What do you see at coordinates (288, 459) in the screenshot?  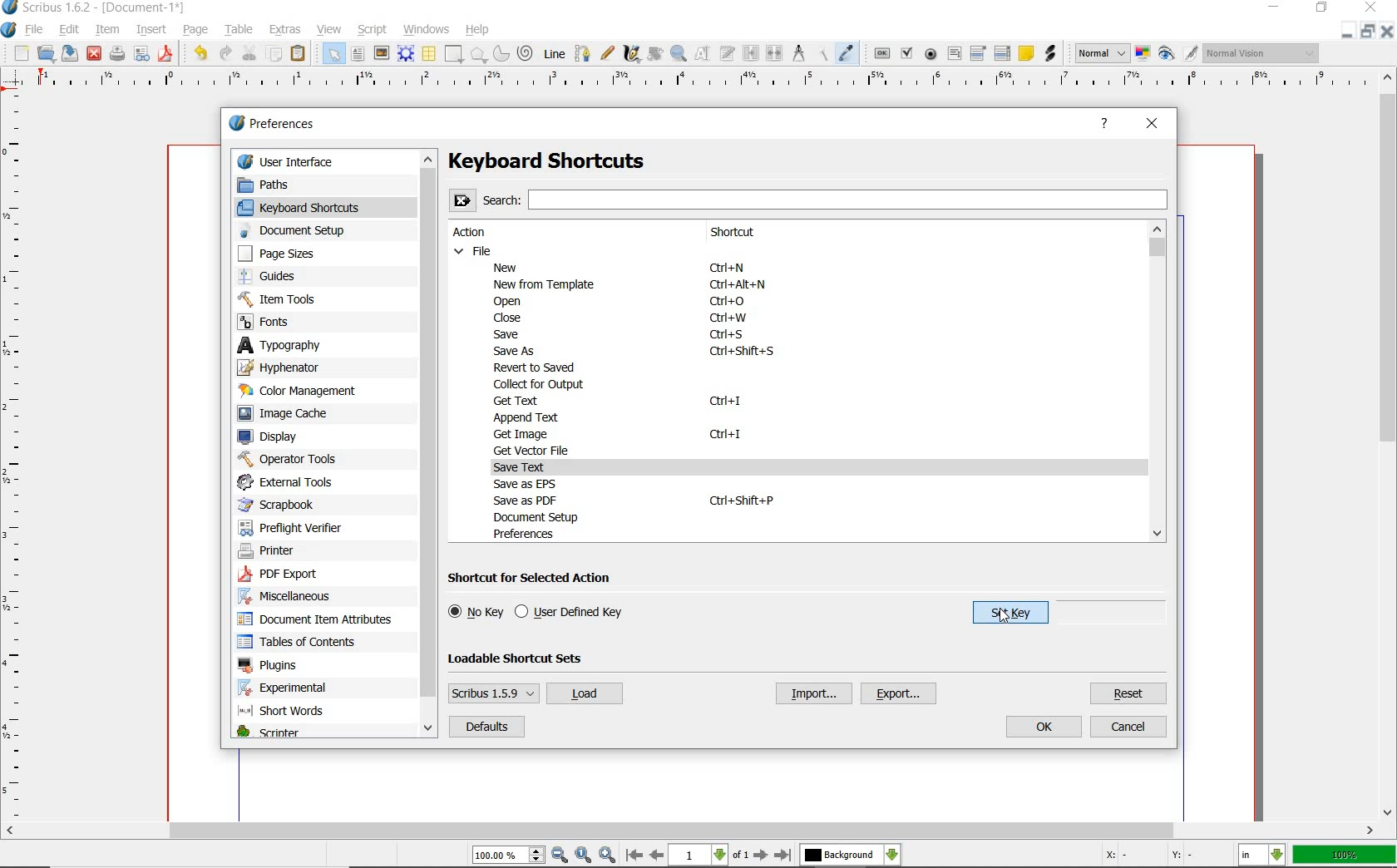 I see `operator tools` at bounding box center [288, 459].